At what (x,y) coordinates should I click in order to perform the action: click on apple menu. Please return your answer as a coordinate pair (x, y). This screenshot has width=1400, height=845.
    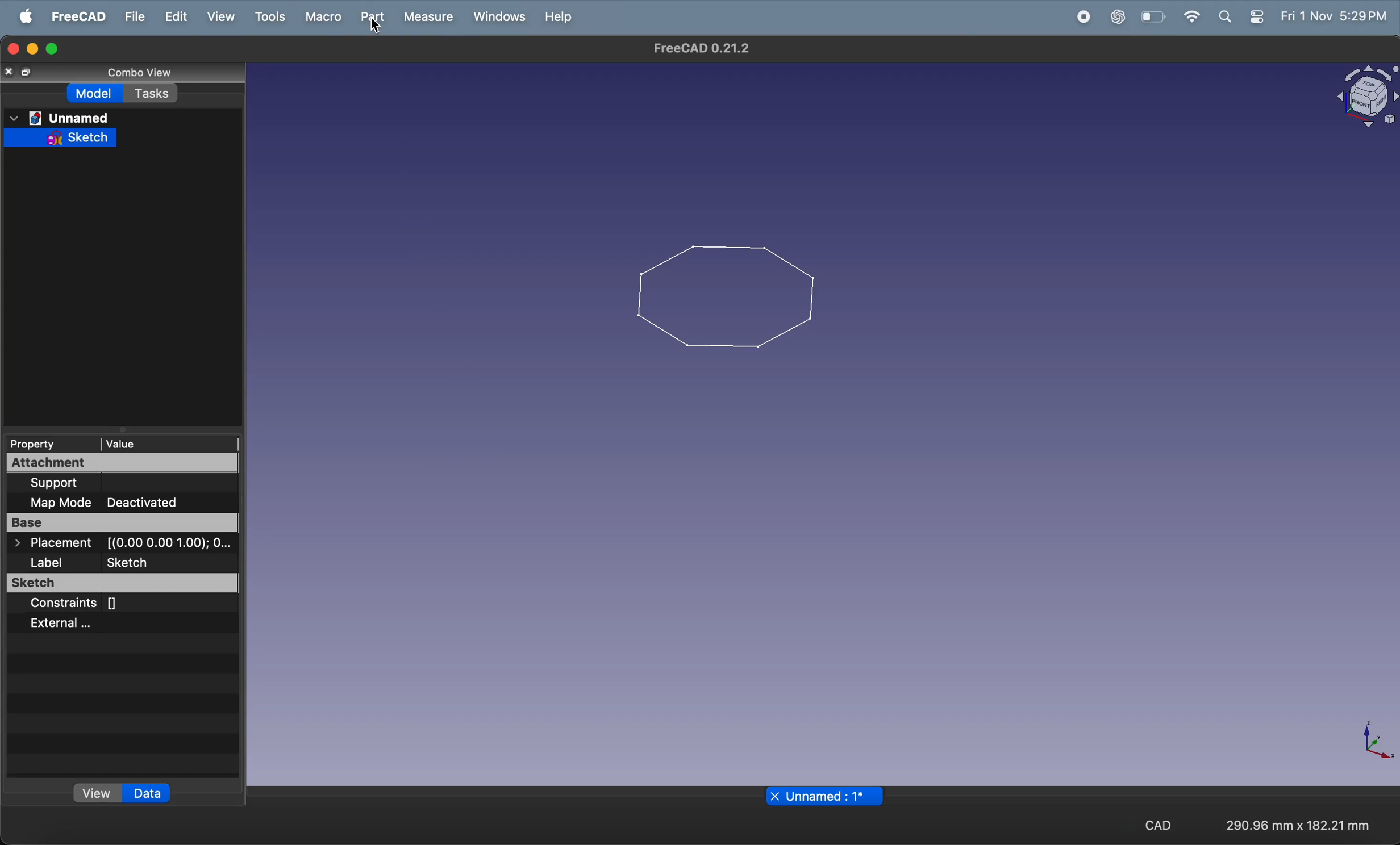
    Looking at the image, I should click on (21, 18).